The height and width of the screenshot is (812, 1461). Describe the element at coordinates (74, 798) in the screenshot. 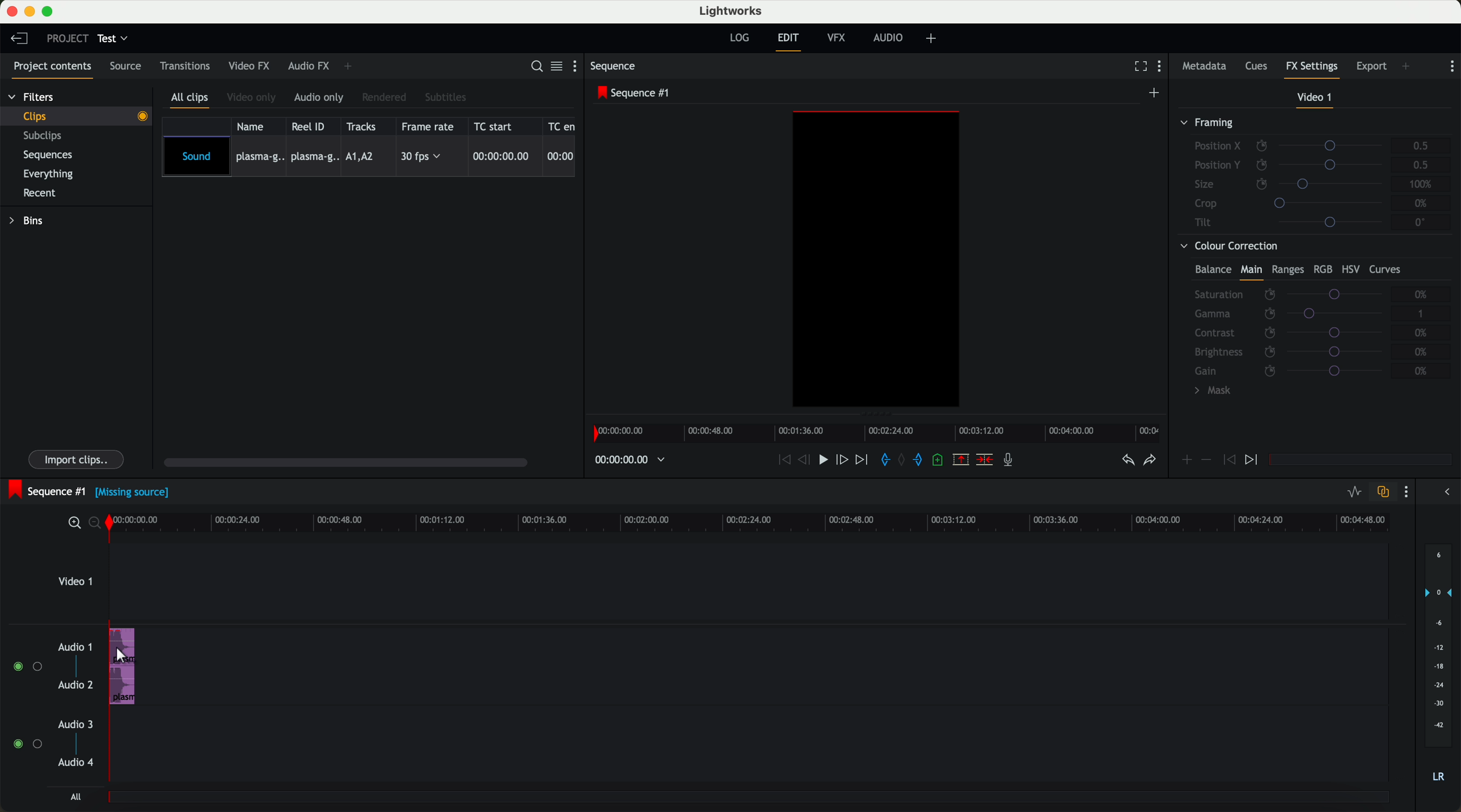

I see `all` at that location.